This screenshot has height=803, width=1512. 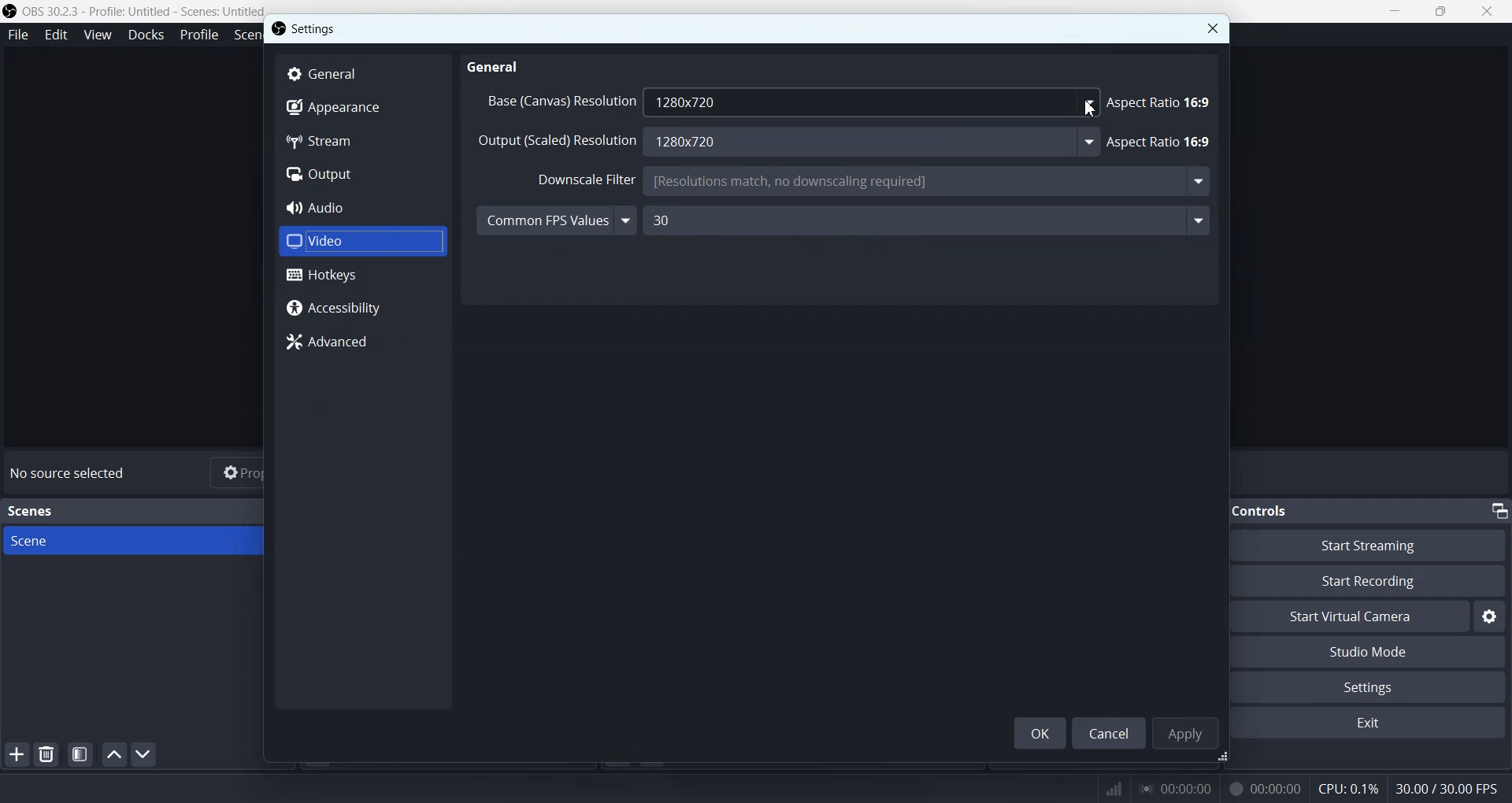 What do you see at coordinates (150, 541) in the screenshot?
I see `Scene` at bounding box center [150, 541].